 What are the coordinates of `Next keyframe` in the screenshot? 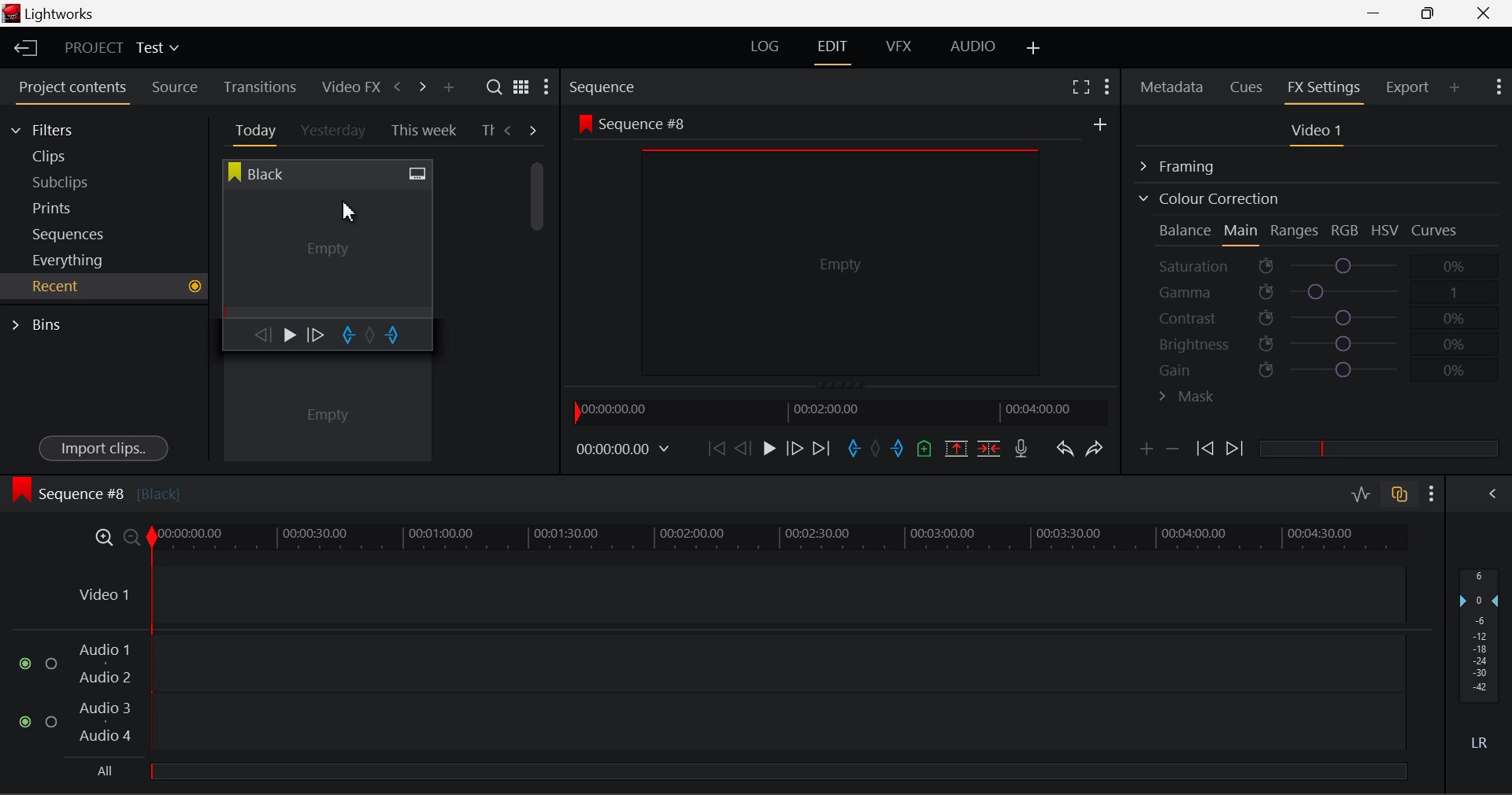 It's located at (1236, 449).